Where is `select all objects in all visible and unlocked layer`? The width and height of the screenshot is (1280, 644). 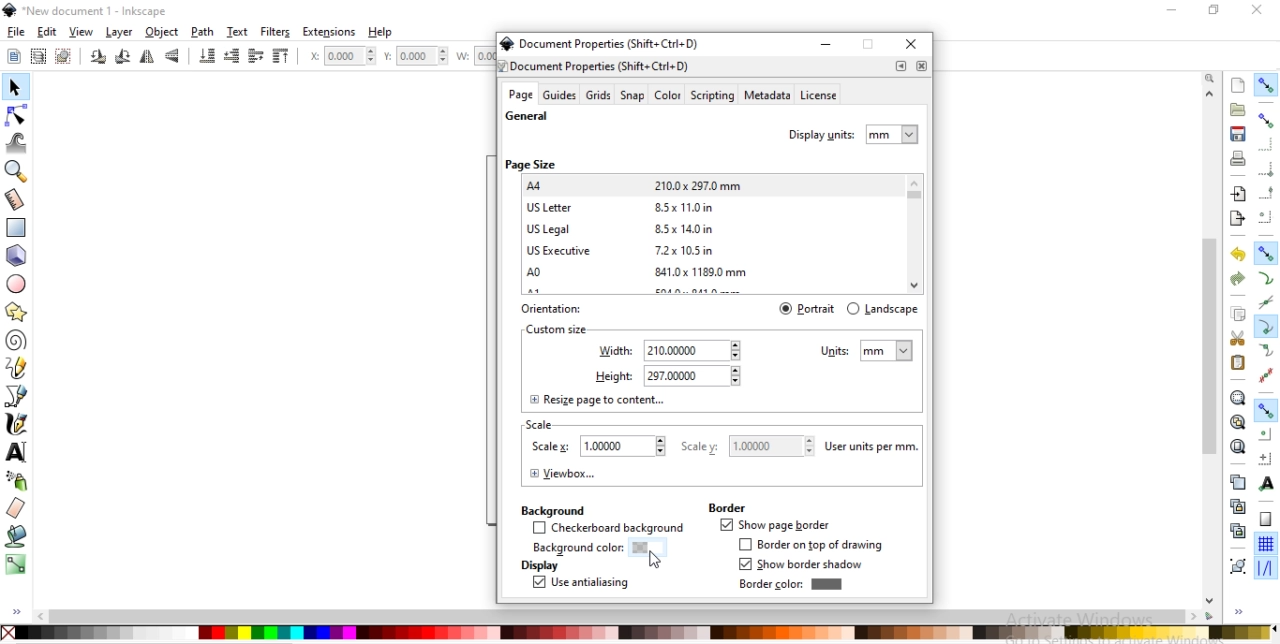 select all objects in all visible and unlocked layer is located at coordinates (34, 55).